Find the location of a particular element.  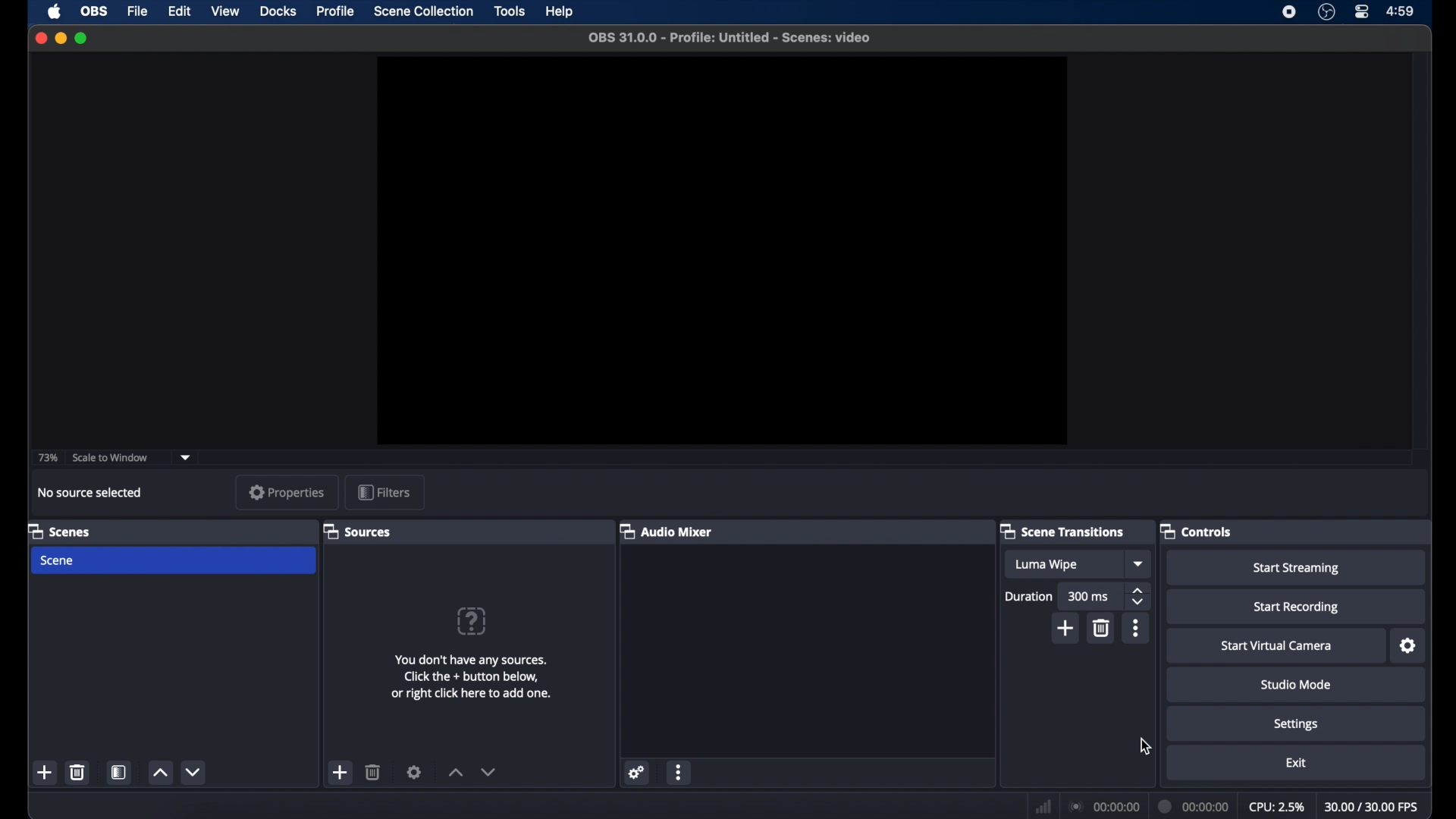

start recording is located at coordinates (1295, 607).